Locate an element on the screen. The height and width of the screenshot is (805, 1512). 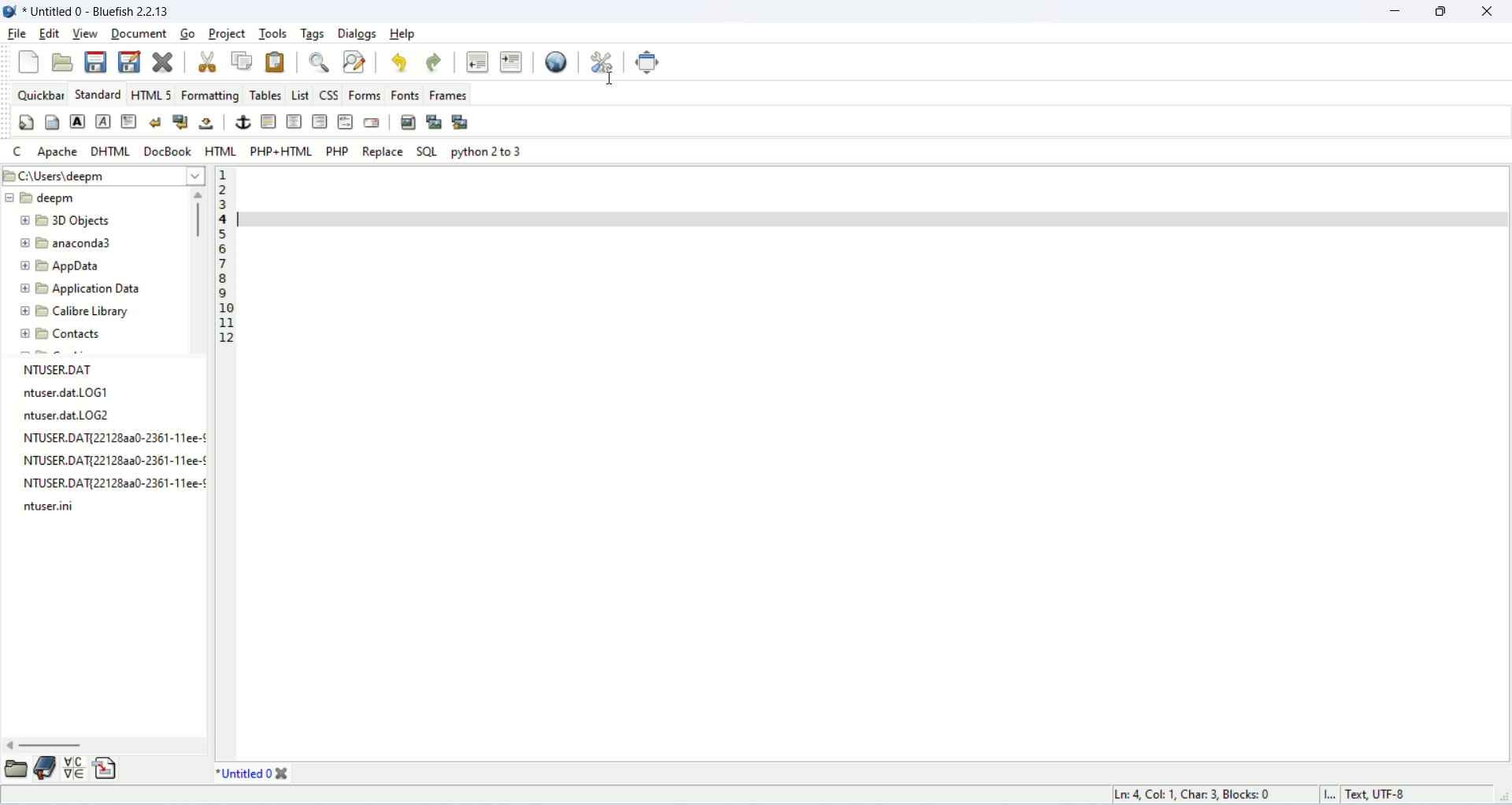
insert special character is located at coordinates (73, 770).